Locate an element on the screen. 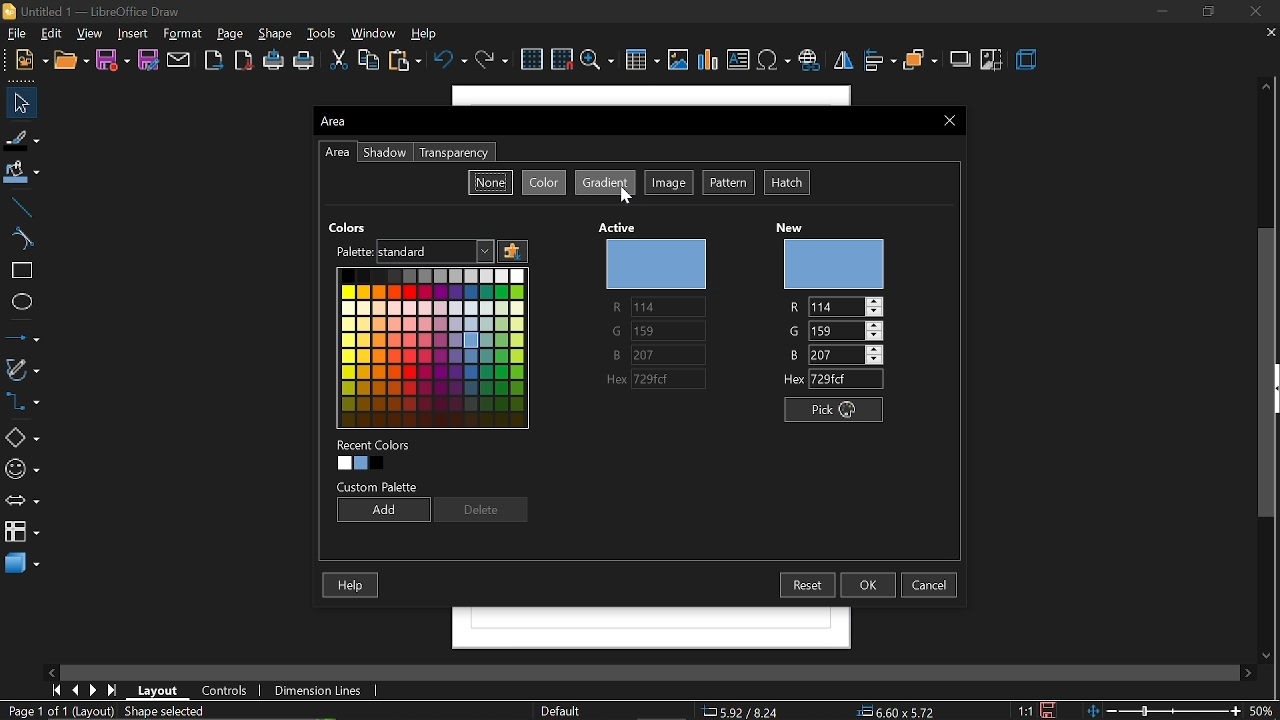 Image resolution: width=1280 pixels, height=720 pixels. Active is located at coordinates (621, 225).